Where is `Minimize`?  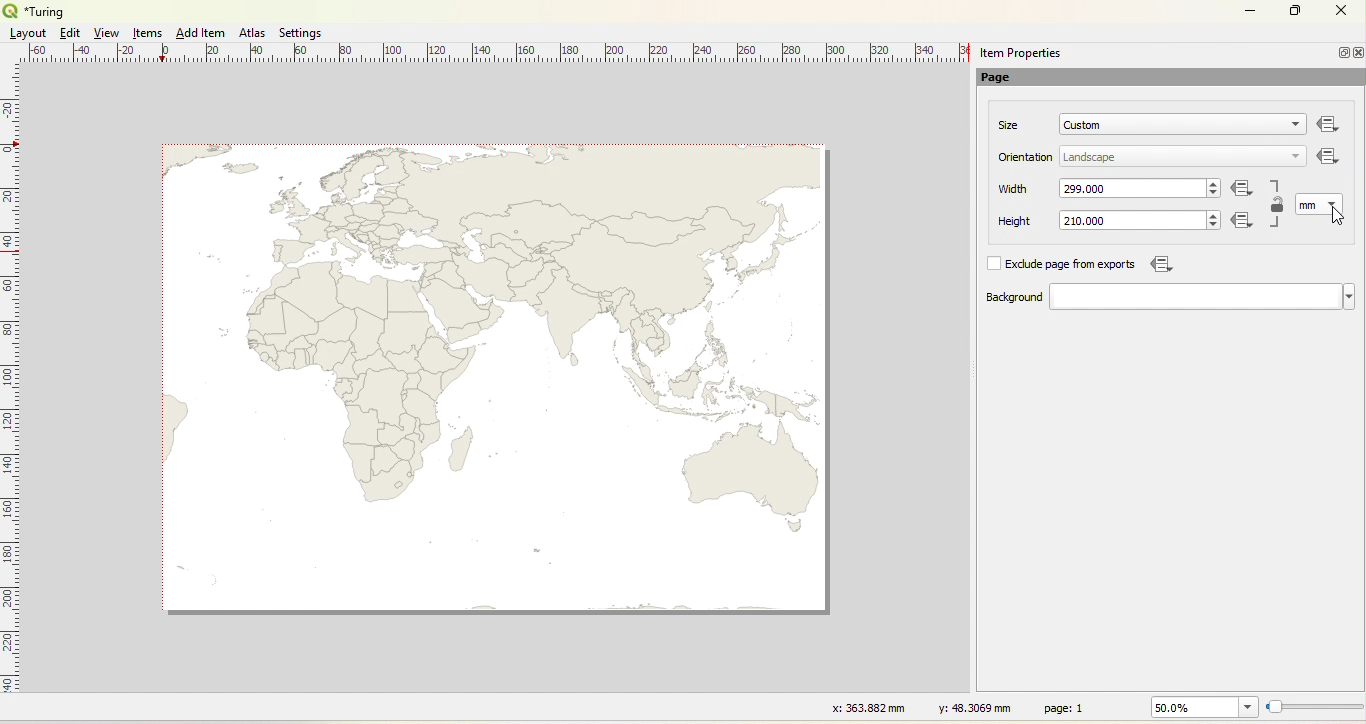
Minimize is located at coordinates (1250, 9).